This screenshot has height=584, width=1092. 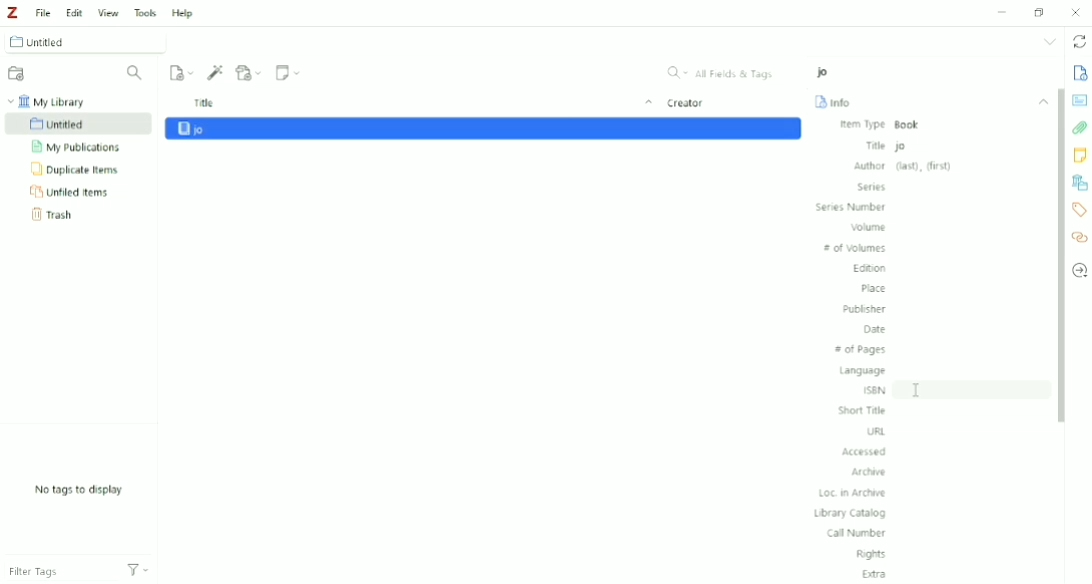 I want to click on New Note, so click(x=289, y=71).